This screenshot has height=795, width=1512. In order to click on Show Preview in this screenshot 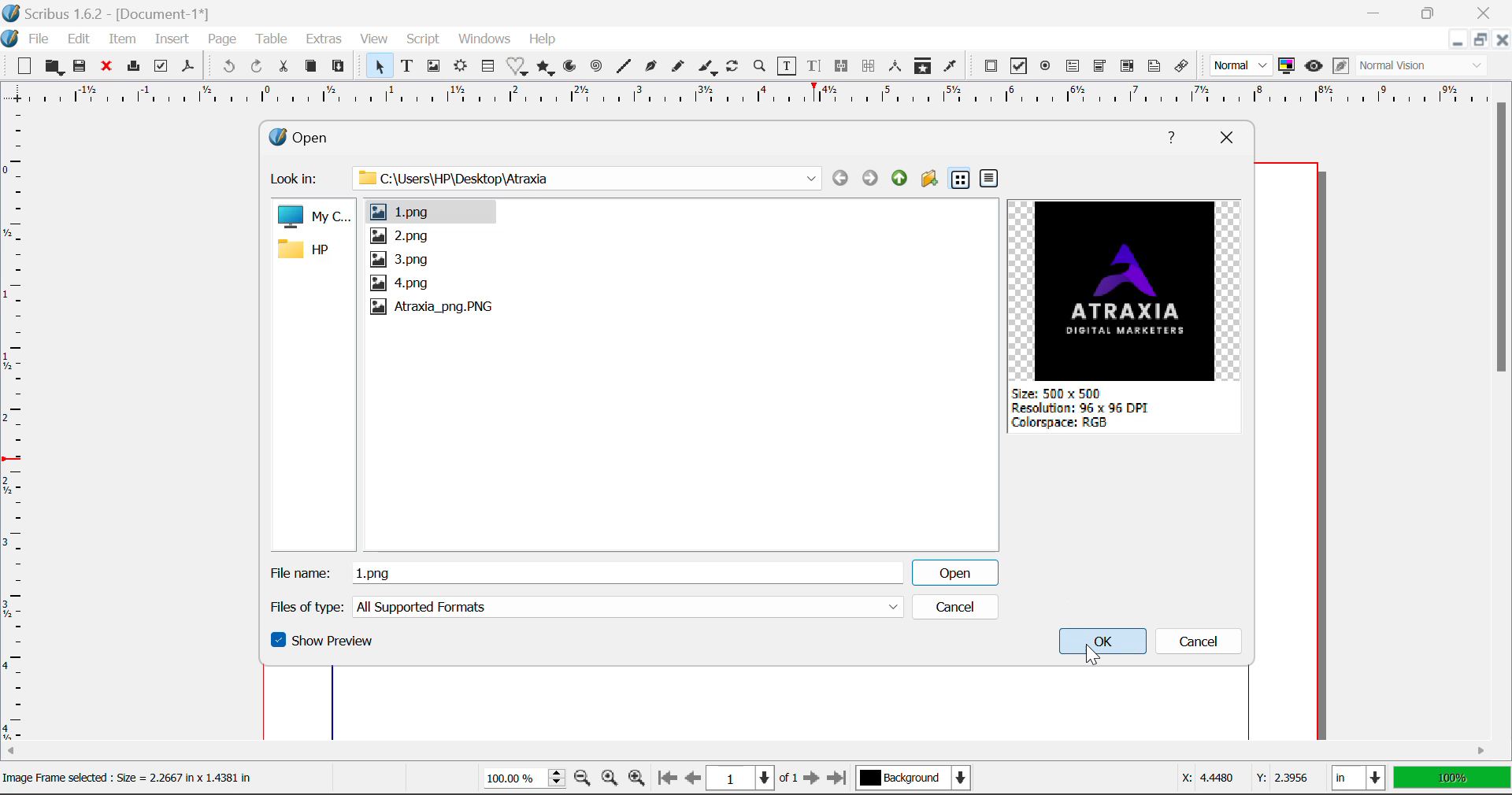, I will do `click(324, 645)`.